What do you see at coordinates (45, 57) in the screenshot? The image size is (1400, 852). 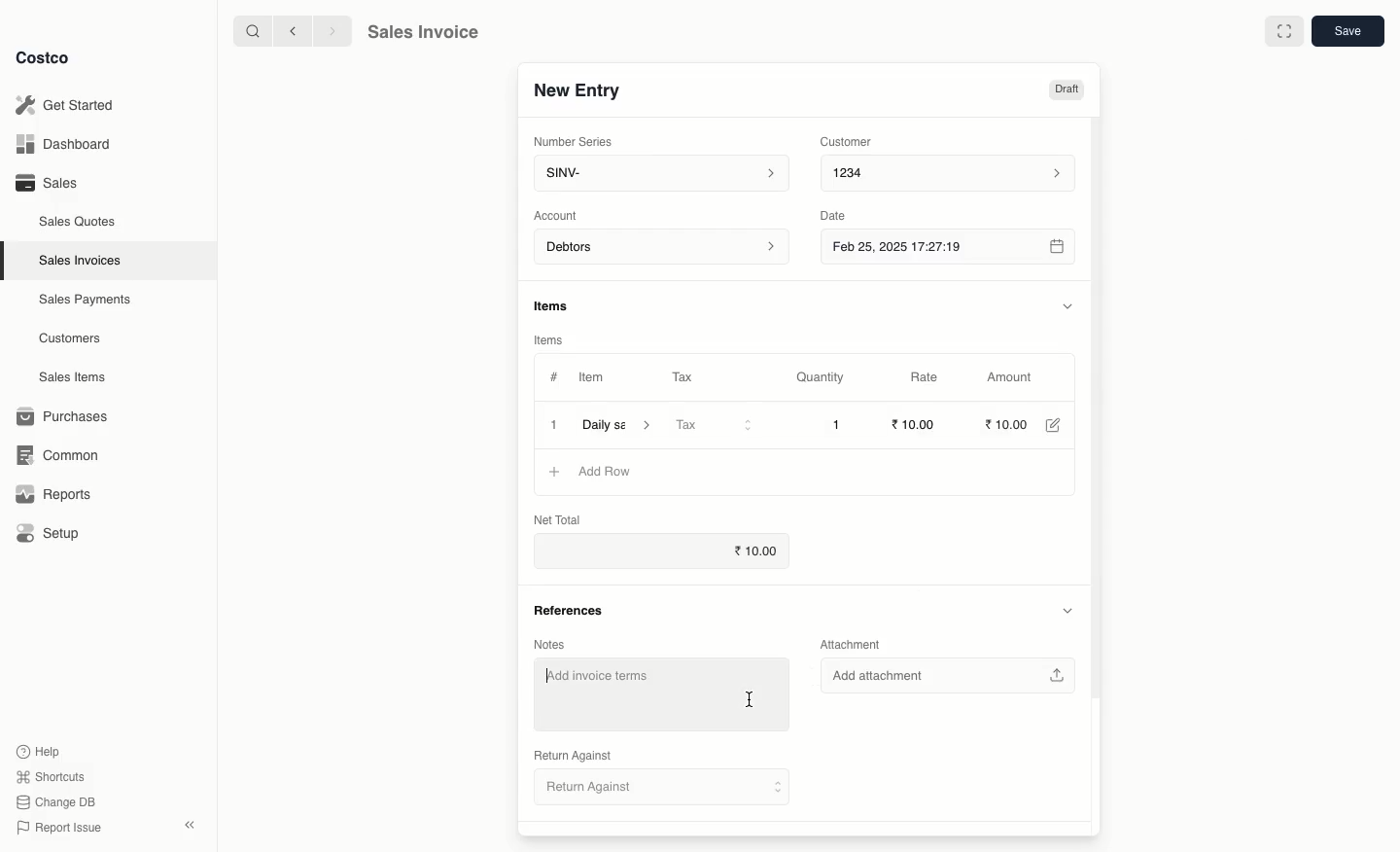 I see `Costco` at bounding box center [45, 57].